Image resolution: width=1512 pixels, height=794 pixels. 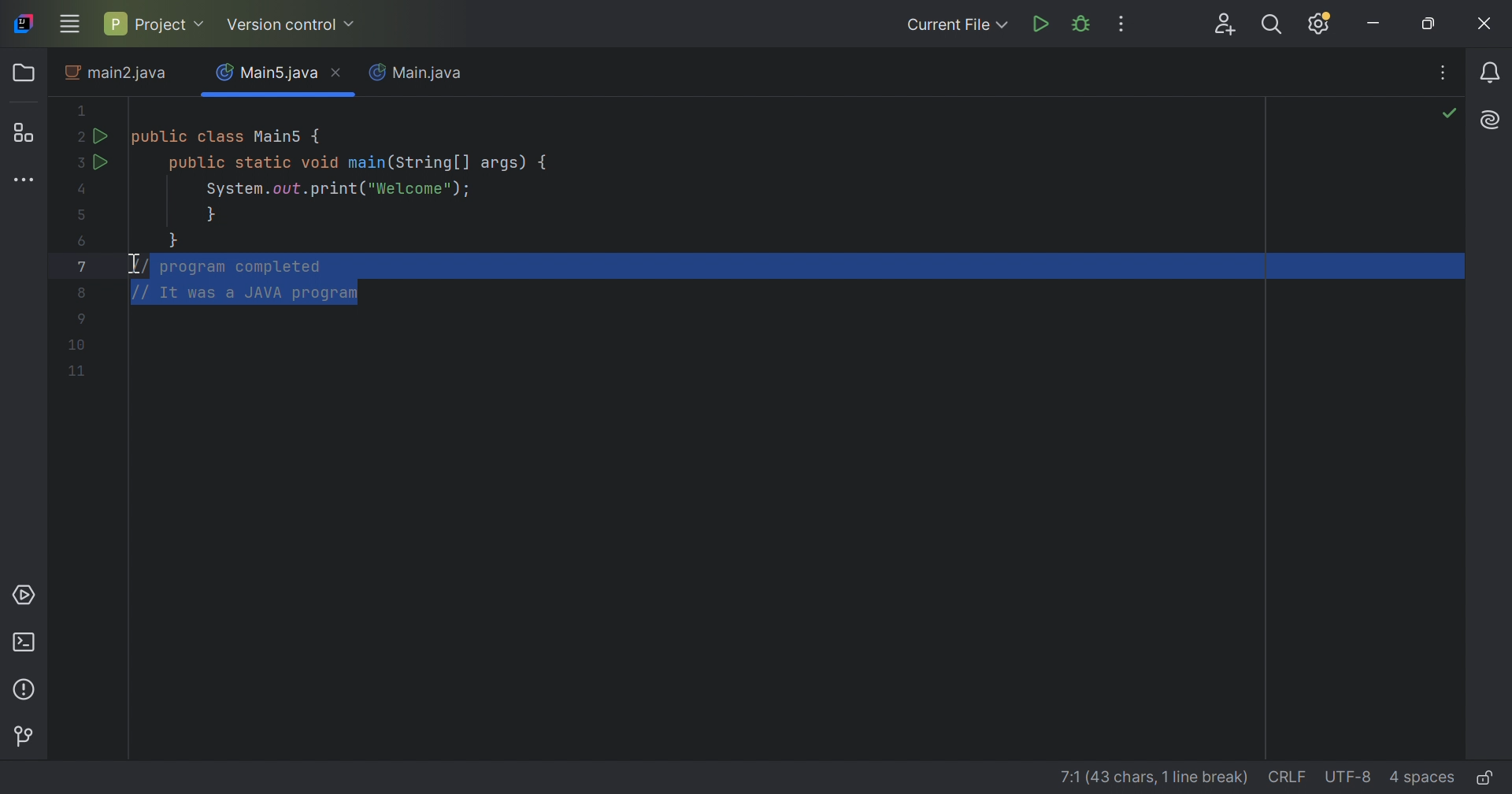 I want to click on Close, so click(x=1486, y=25).